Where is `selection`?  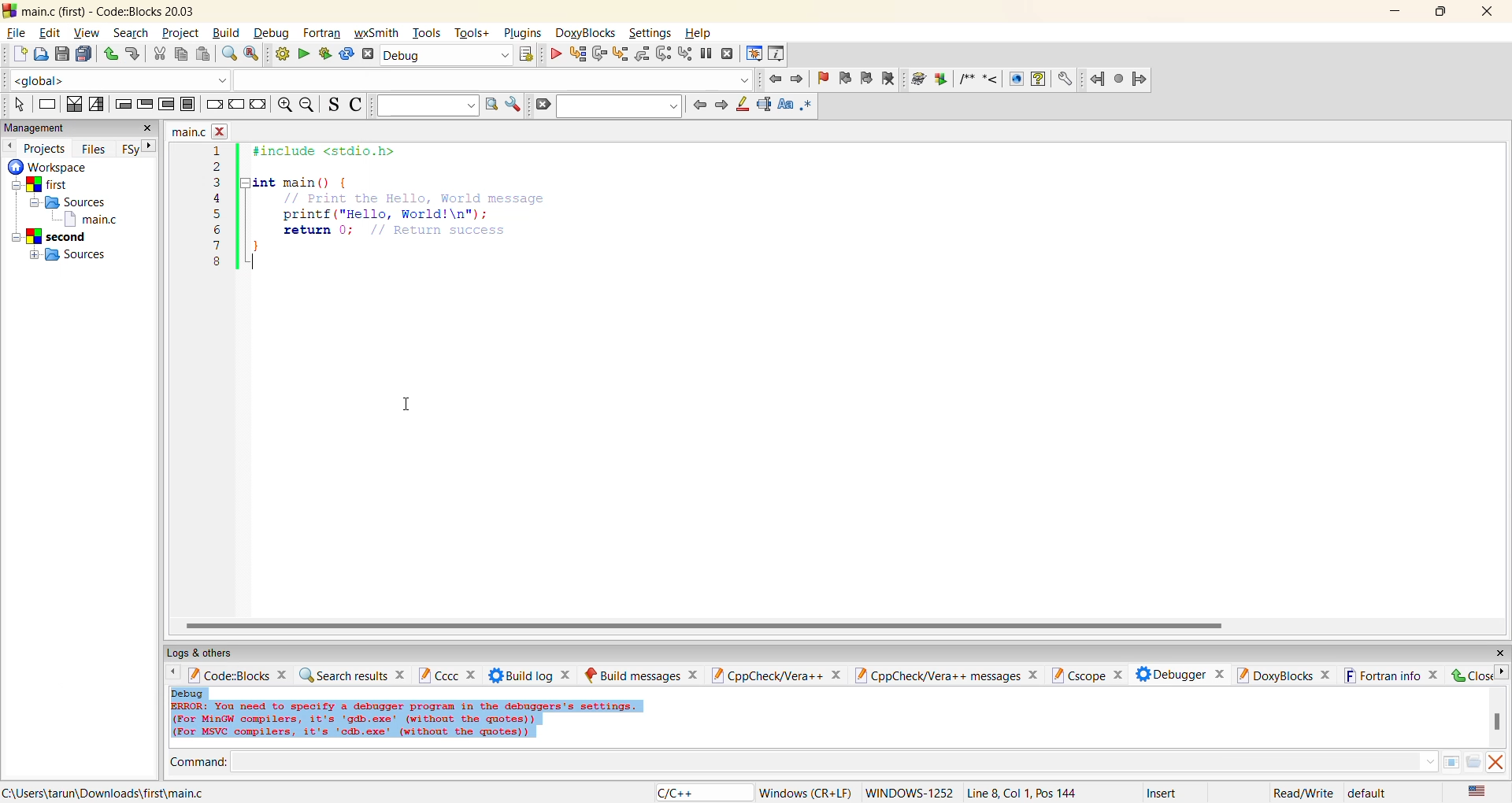
selection is located at coordinates (97, 105).